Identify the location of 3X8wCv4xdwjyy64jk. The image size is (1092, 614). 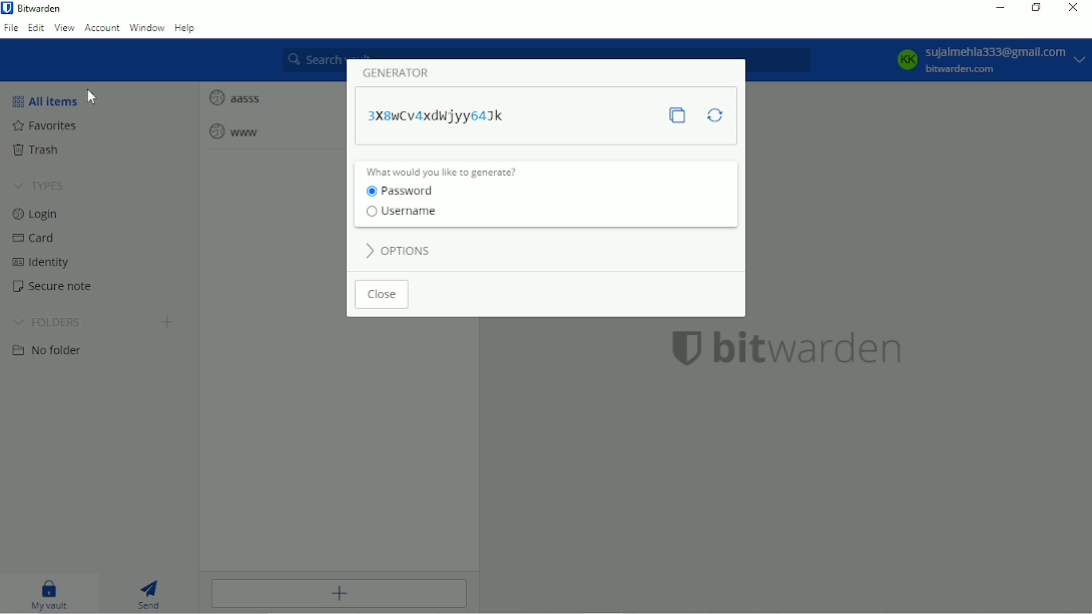
(435, 115).